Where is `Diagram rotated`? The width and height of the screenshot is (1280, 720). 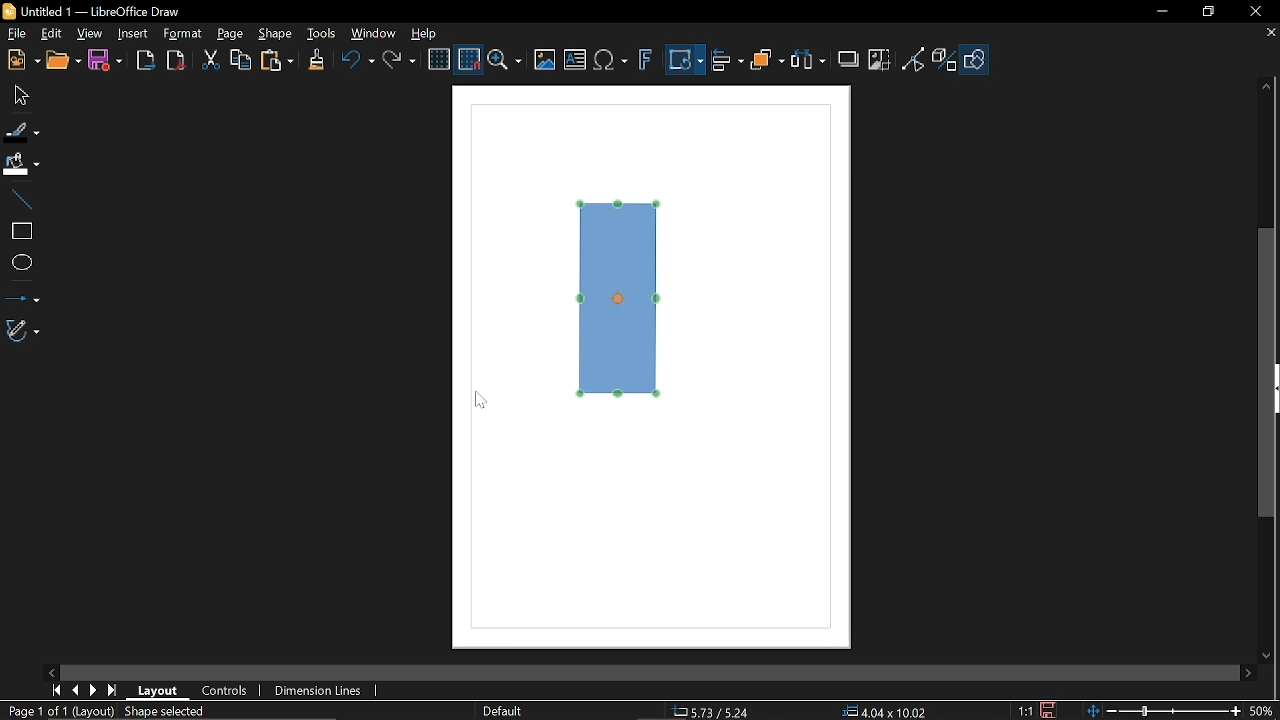
Diagram rotated is located at coordinates (620, 297).